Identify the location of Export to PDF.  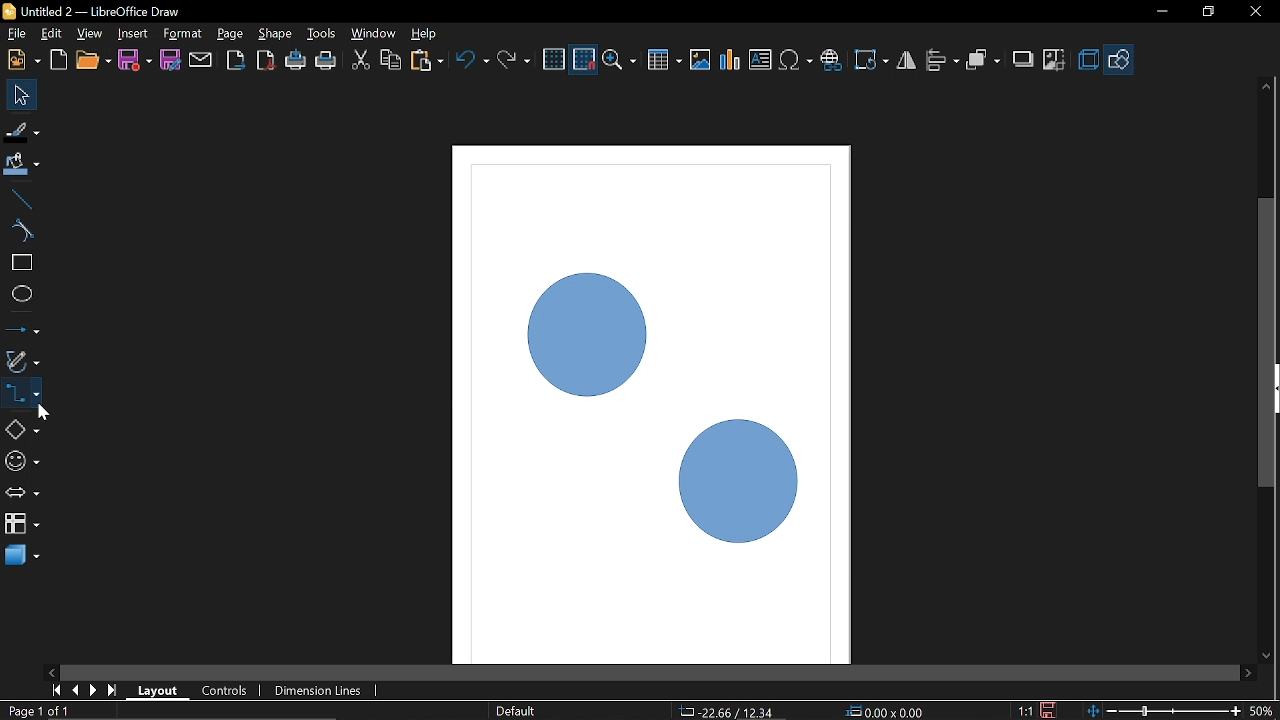
(267, 59).